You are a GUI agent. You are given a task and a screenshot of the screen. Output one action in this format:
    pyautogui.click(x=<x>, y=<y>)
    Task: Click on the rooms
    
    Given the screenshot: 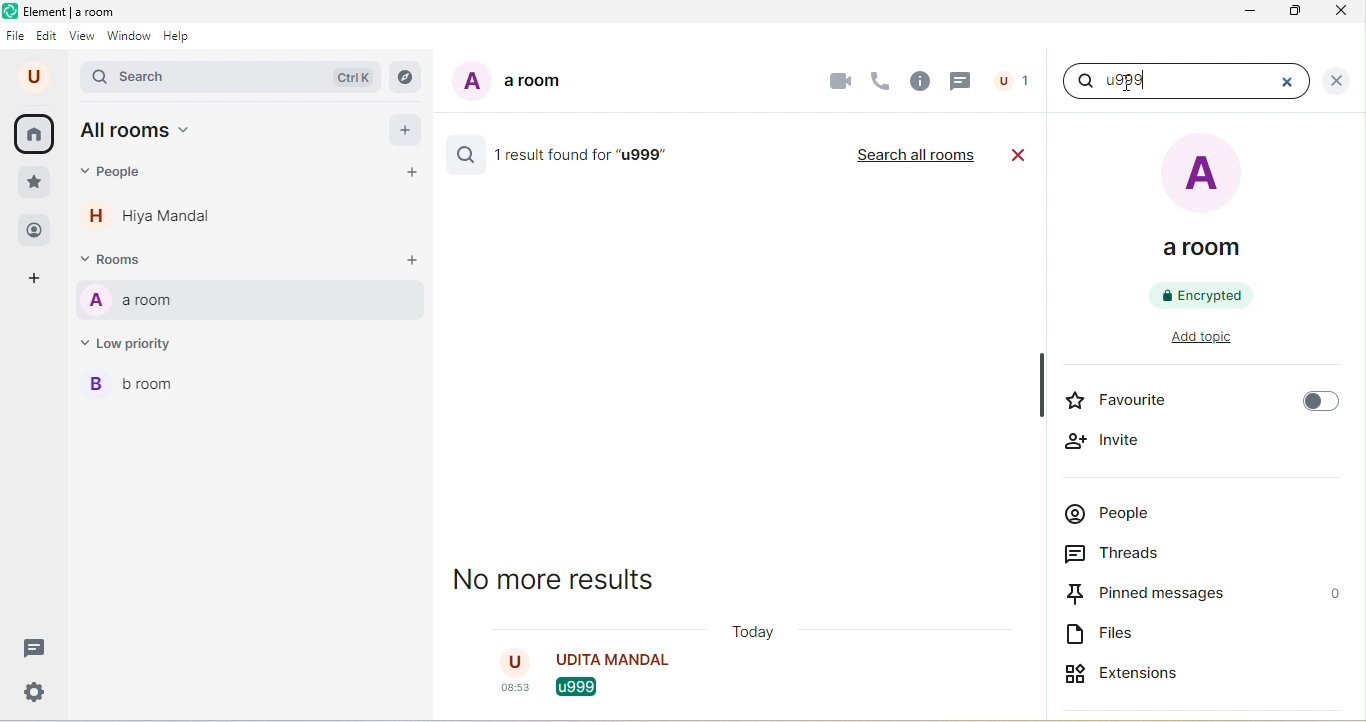 What is the action you would take?
    pyautogui.click(x=120, y=261)
    